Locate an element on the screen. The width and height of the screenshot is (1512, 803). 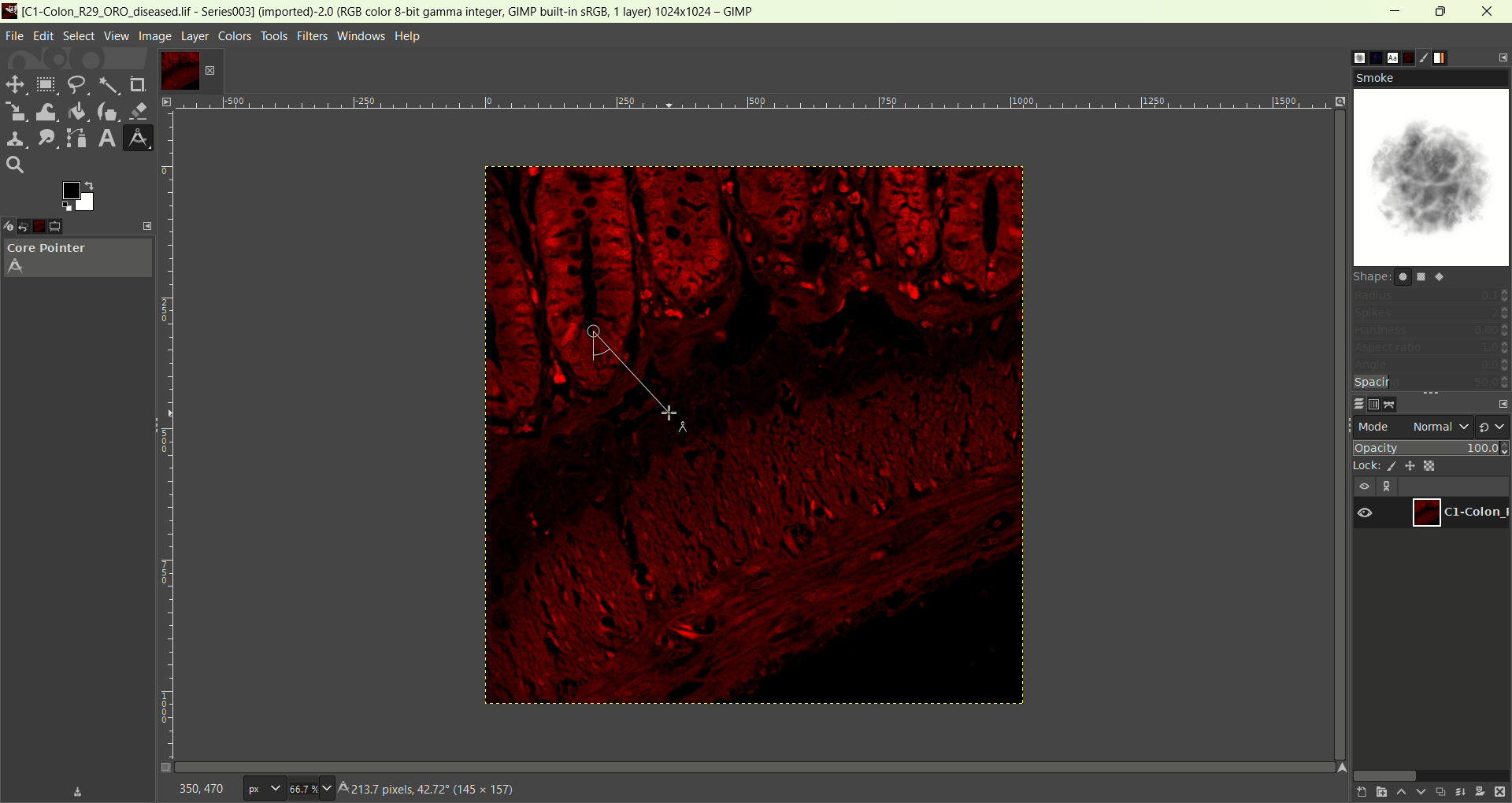
tool option is located at coordinates (68, 227).